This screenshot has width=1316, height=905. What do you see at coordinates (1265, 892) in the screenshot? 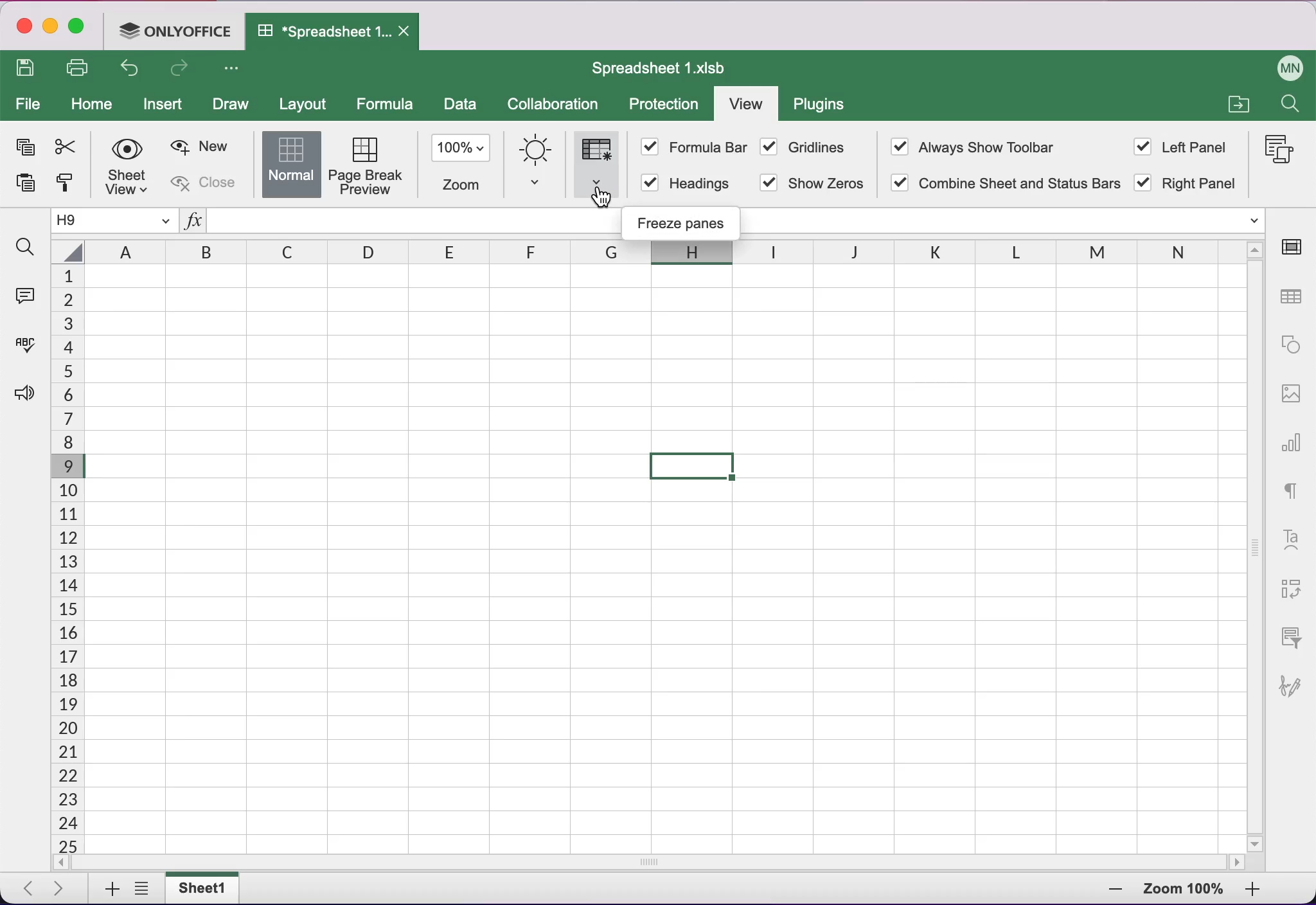
I see `zoom out` at bounding box center [1265, 892].